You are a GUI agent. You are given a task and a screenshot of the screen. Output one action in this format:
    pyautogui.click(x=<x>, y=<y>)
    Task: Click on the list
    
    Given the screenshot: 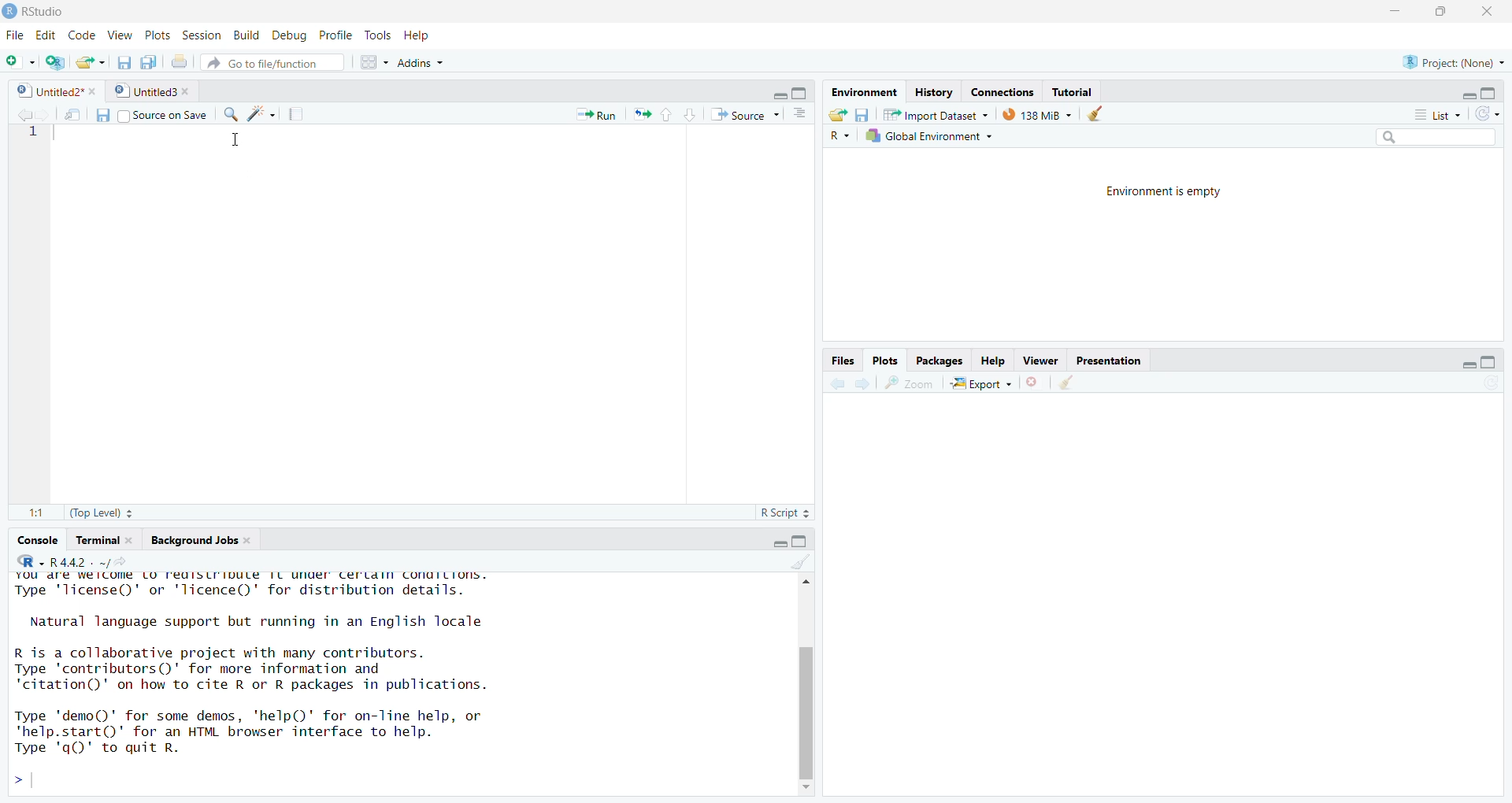 What is the action you would take?
    pyautogui.click(x=1432, y=113)
    